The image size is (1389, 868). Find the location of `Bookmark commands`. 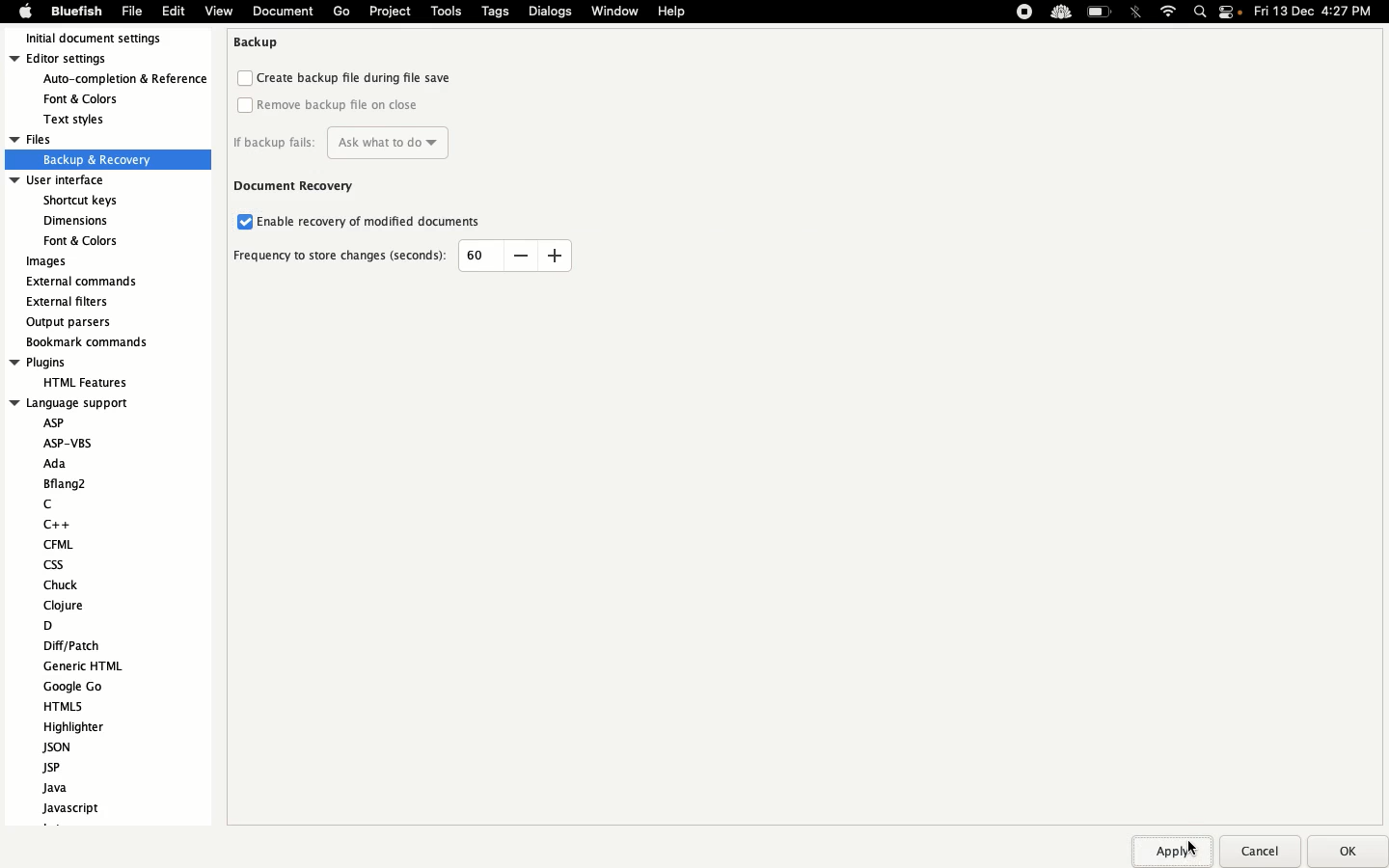

Bookmark commands is located at coordinates (104, 343).